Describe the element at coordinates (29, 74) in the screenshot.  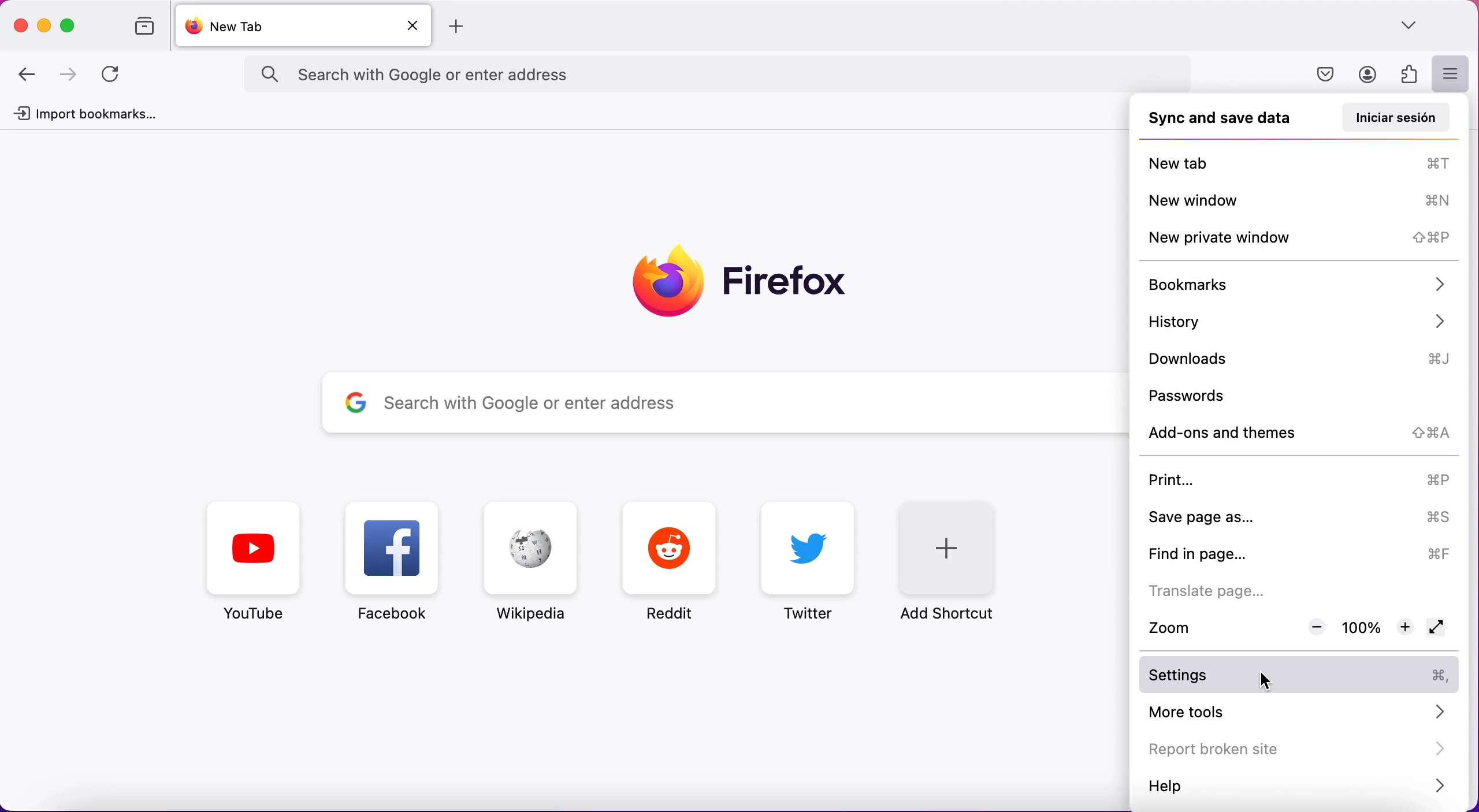
I see `go back one page` at that location.